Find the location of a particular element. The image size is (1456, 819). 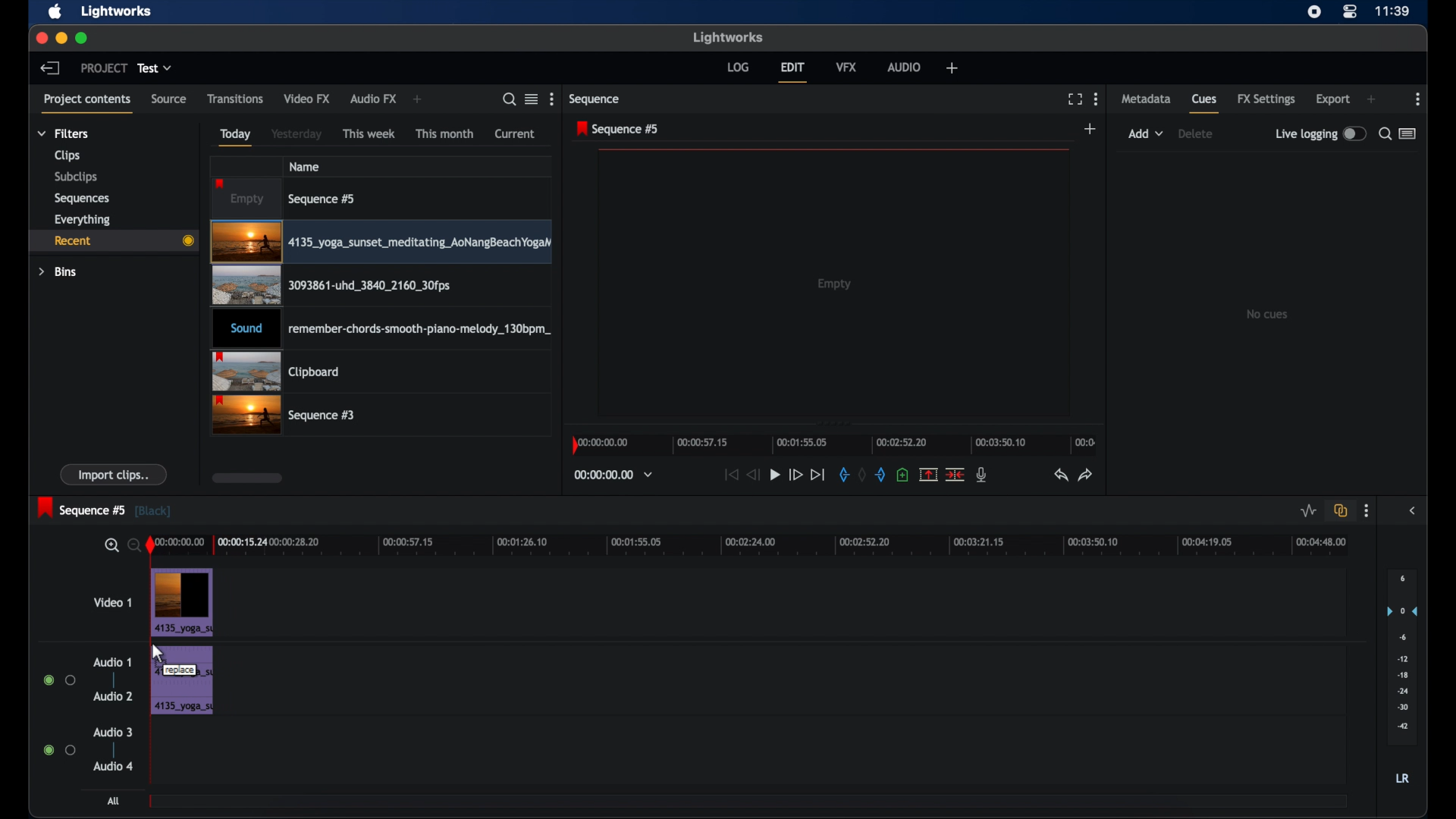

live logging is located at coordinates (1321, 133).